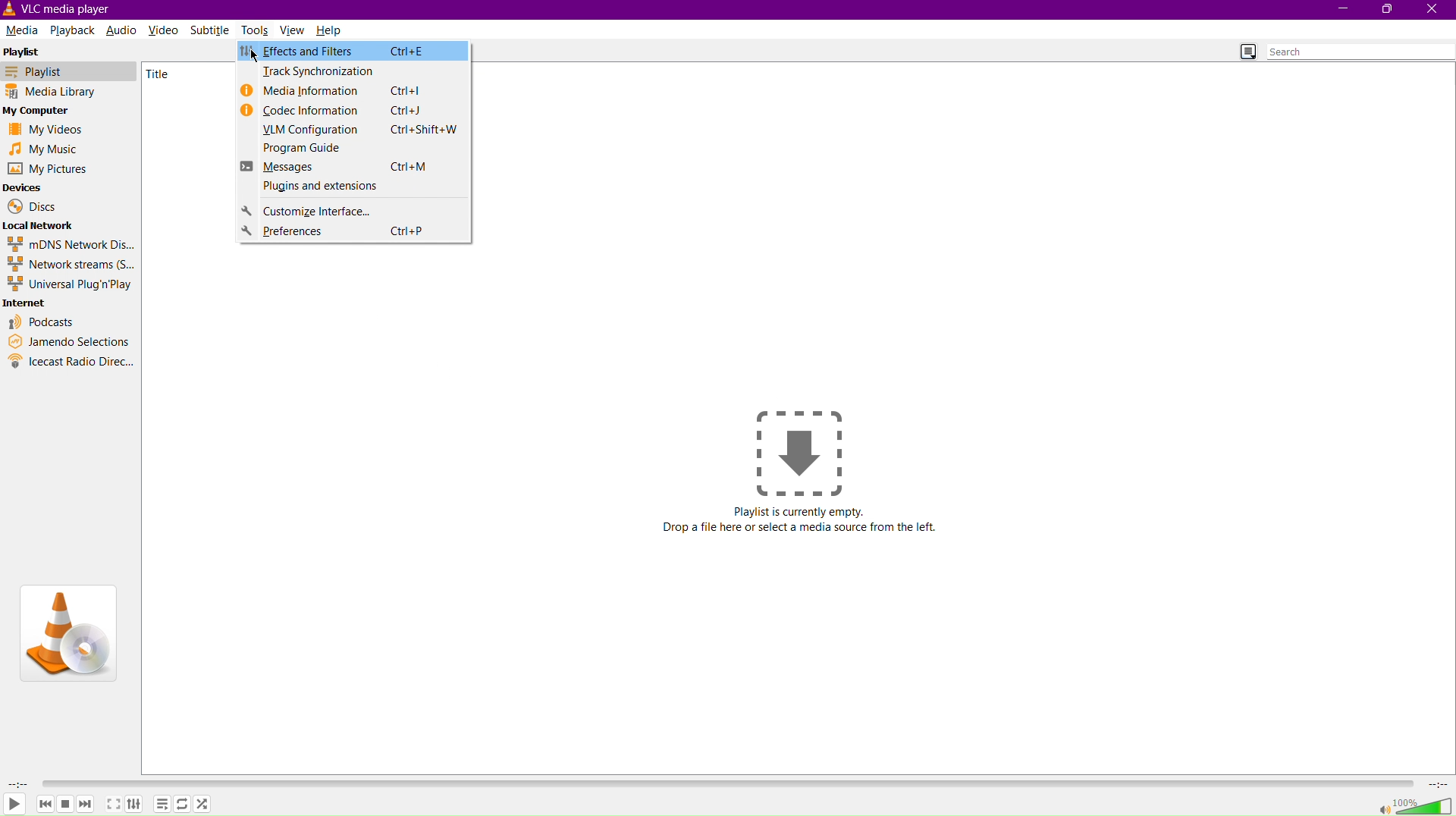 The image size is (1456, 816). I want to click on Codec Information Ctrl + J, so click(353, 109).